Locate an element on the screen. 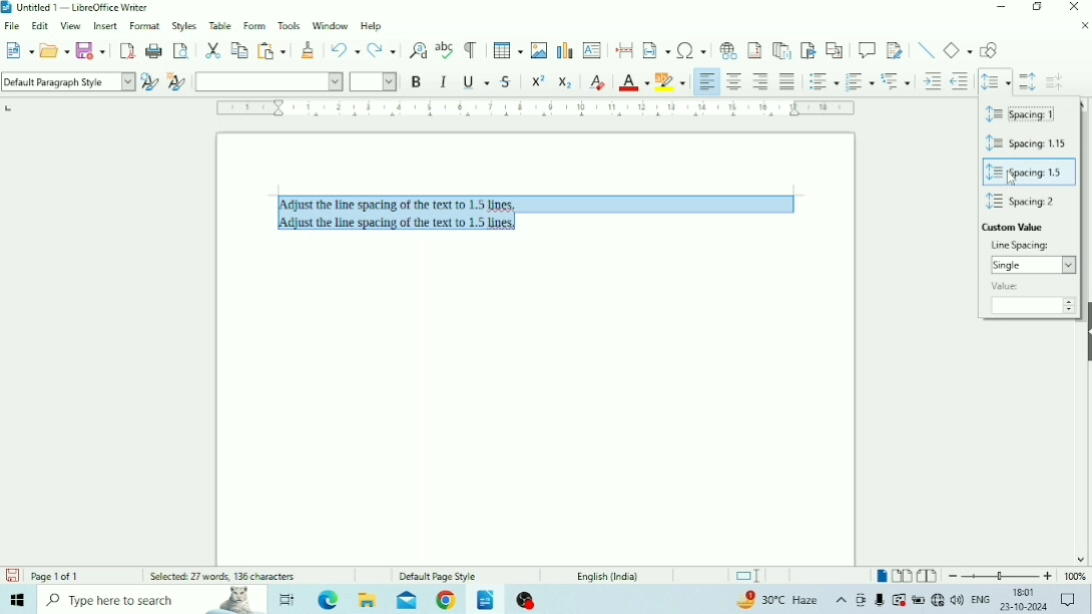 Image resolution: width=1092 pixels, height=614 pixels. Edit is located at coordinates (40, 26).